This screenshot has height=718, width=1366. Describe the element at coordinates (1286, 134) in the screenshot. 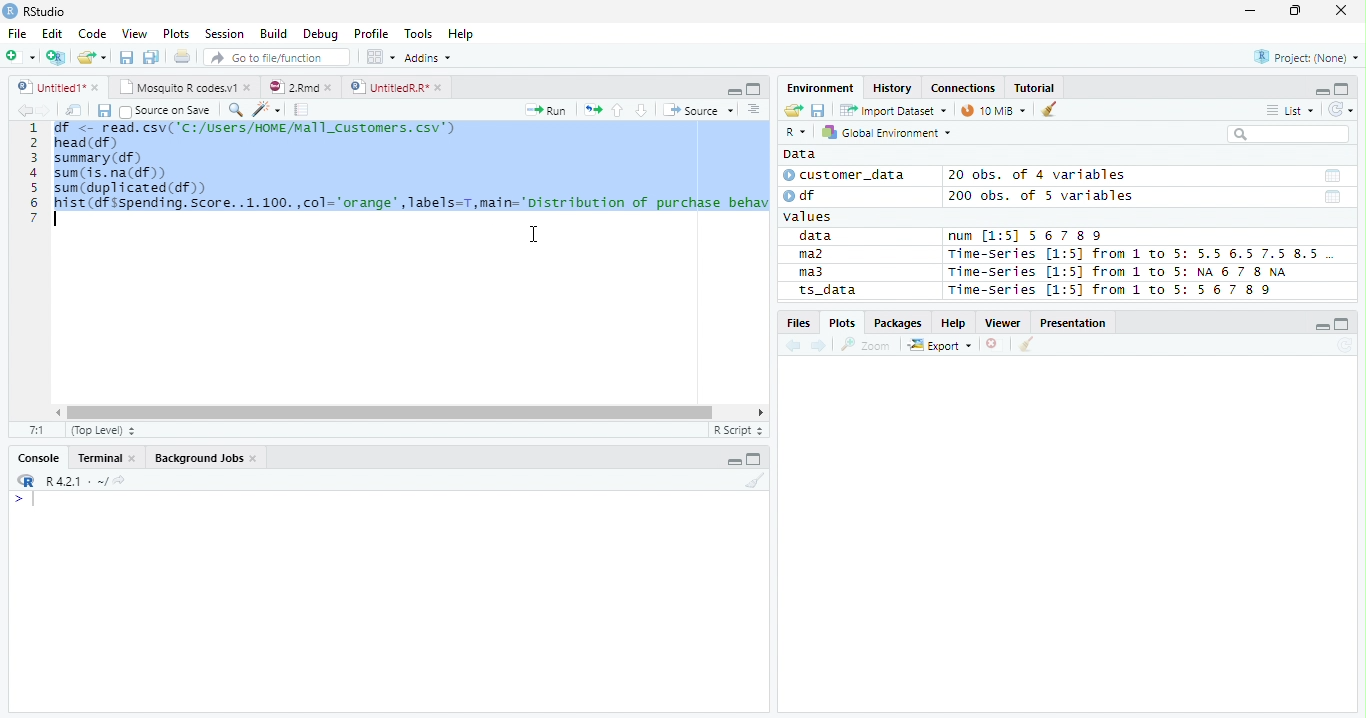

I see `Search` at that location.